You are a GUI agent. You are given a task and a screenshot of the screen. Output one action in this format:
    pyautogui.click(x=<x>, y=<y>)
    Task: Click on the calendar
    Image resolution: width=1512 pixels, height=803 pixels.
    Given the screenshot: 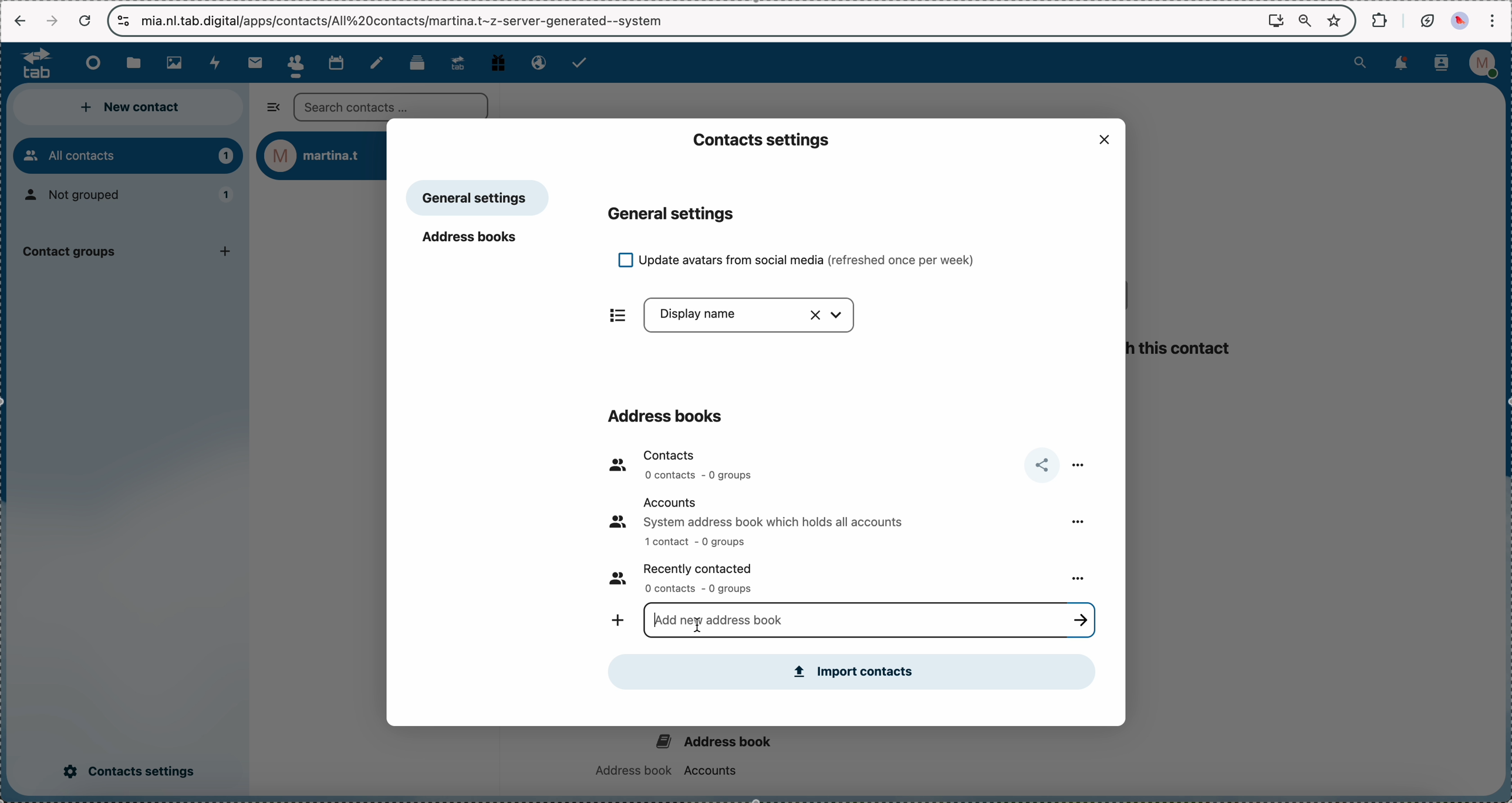 What is the action you would take?
    pyautogui.click(x=335, y=62)
    